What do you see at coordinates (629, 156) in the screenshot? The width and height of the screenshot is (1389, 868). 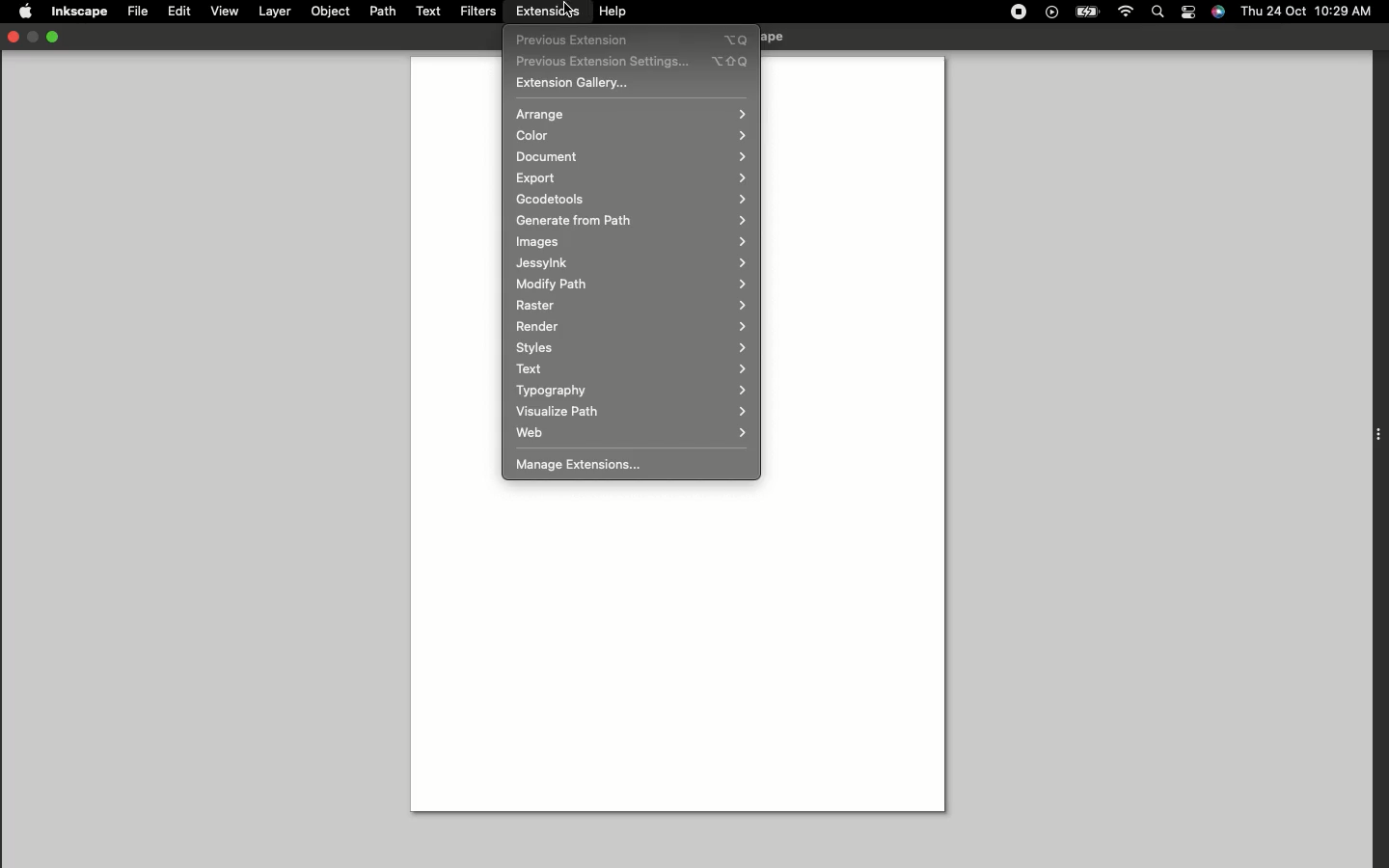 I see `Document` at bounding box center [629, 156].